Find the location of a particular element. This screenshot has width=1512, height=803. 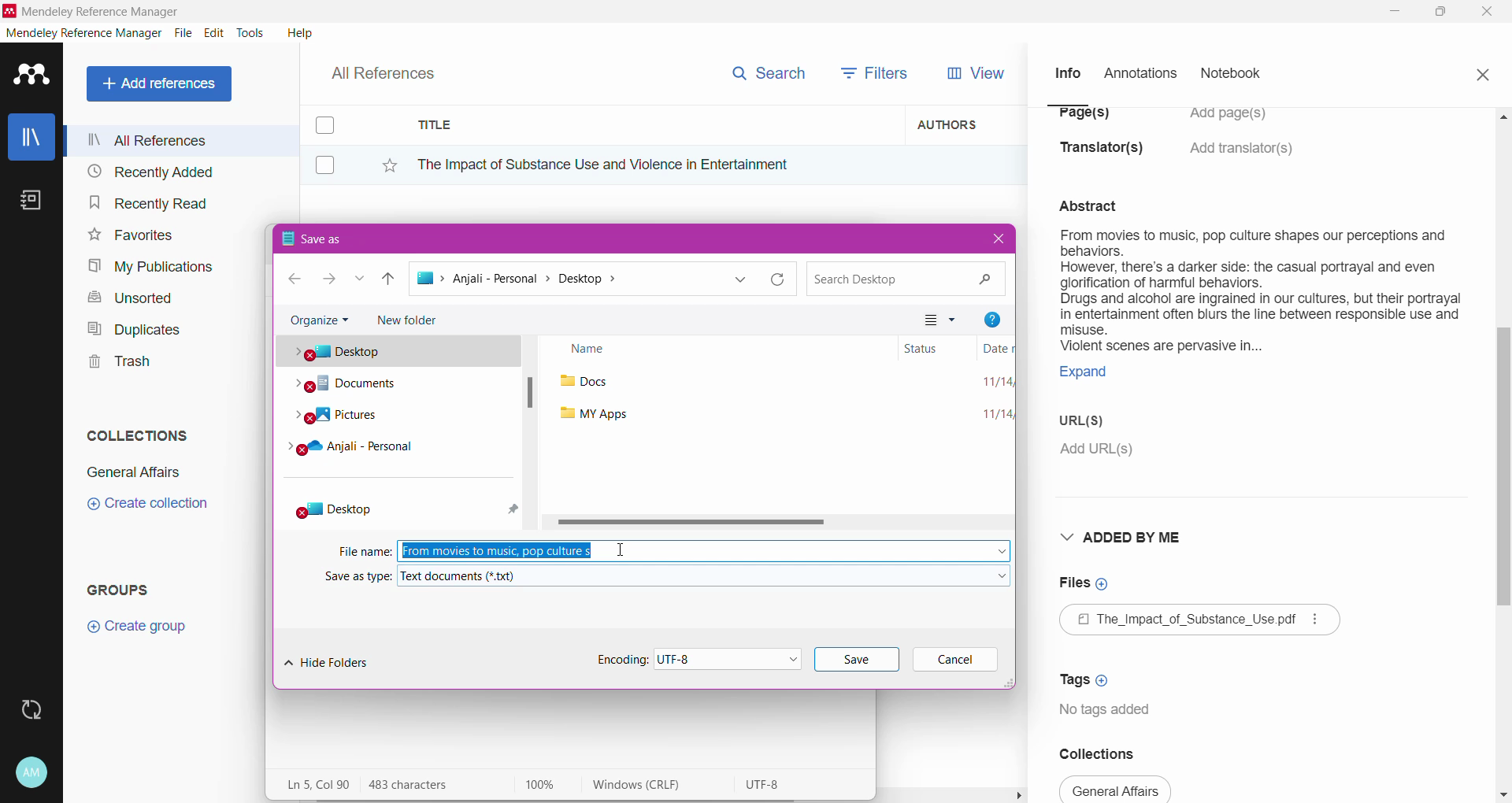

Groups is located at coordinates (124, 589).